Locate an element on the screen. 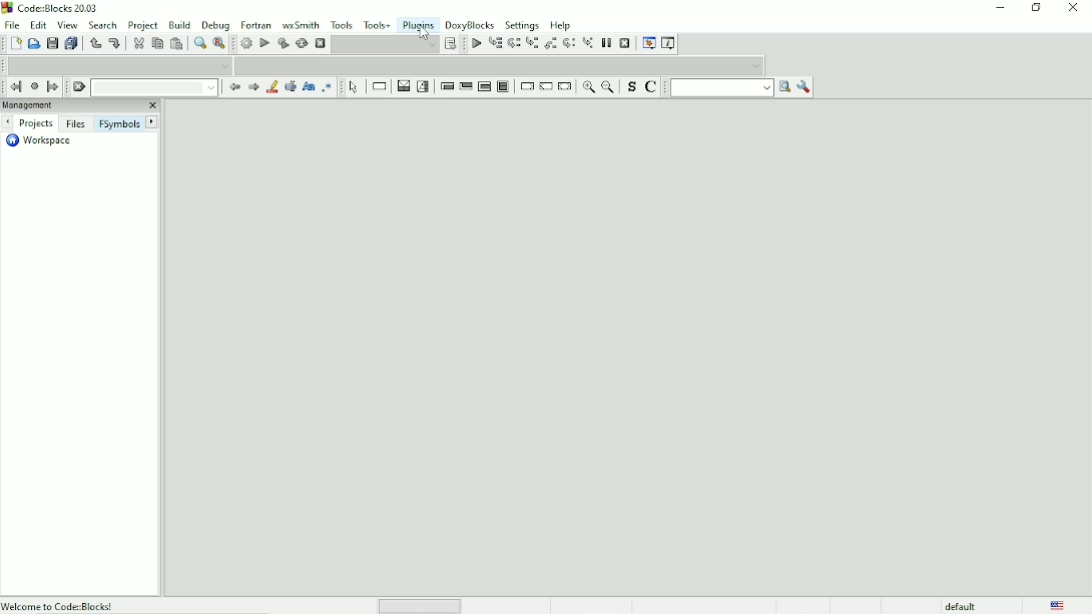 The width and height of the screenshot is (1092, 614). Fortran is located at coordinates (256, 25).